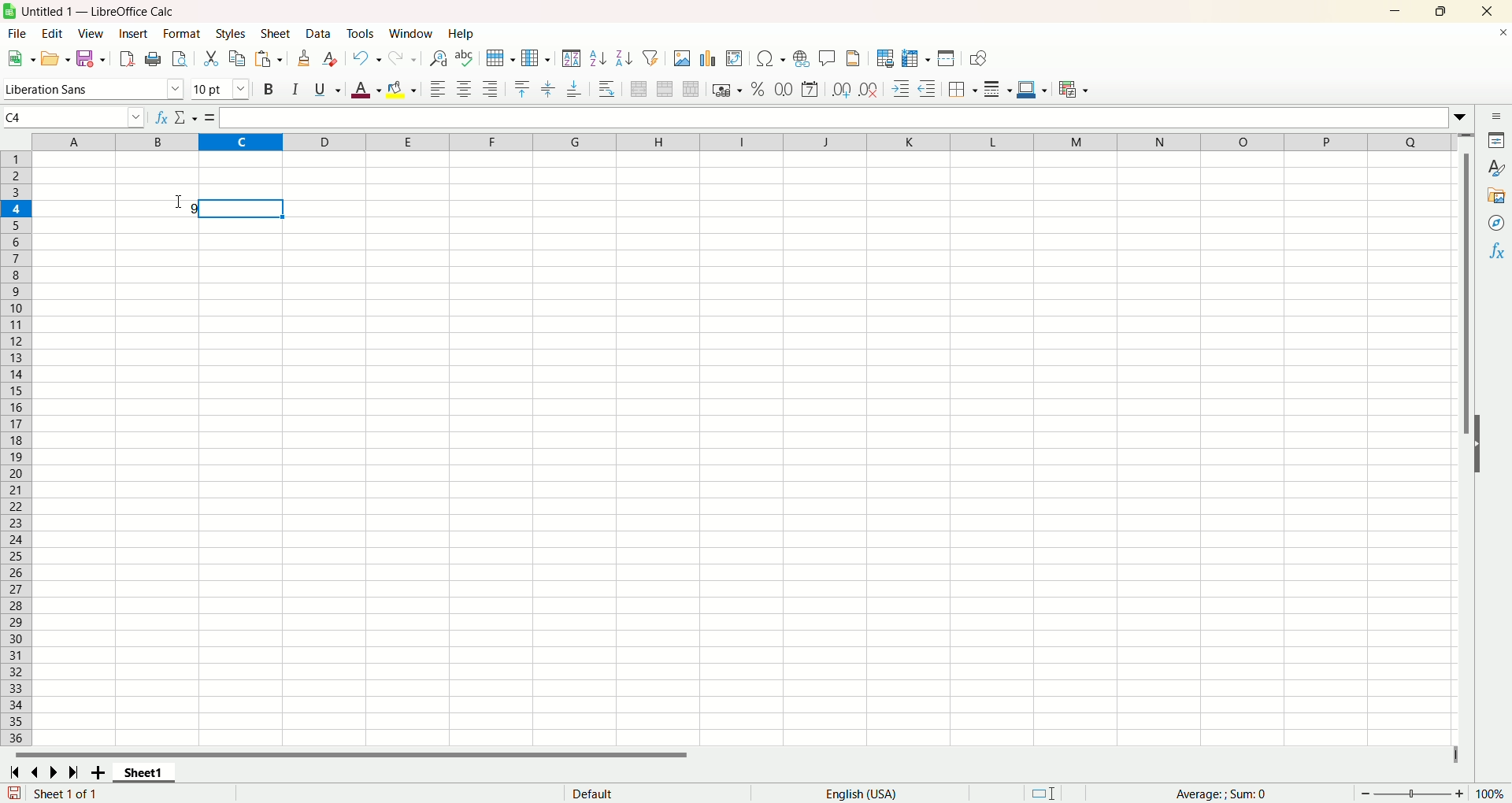 The image size is (1512, 803). Describe the element at coordinates (521, 87) in the screenshot. I see `align top` at that location.